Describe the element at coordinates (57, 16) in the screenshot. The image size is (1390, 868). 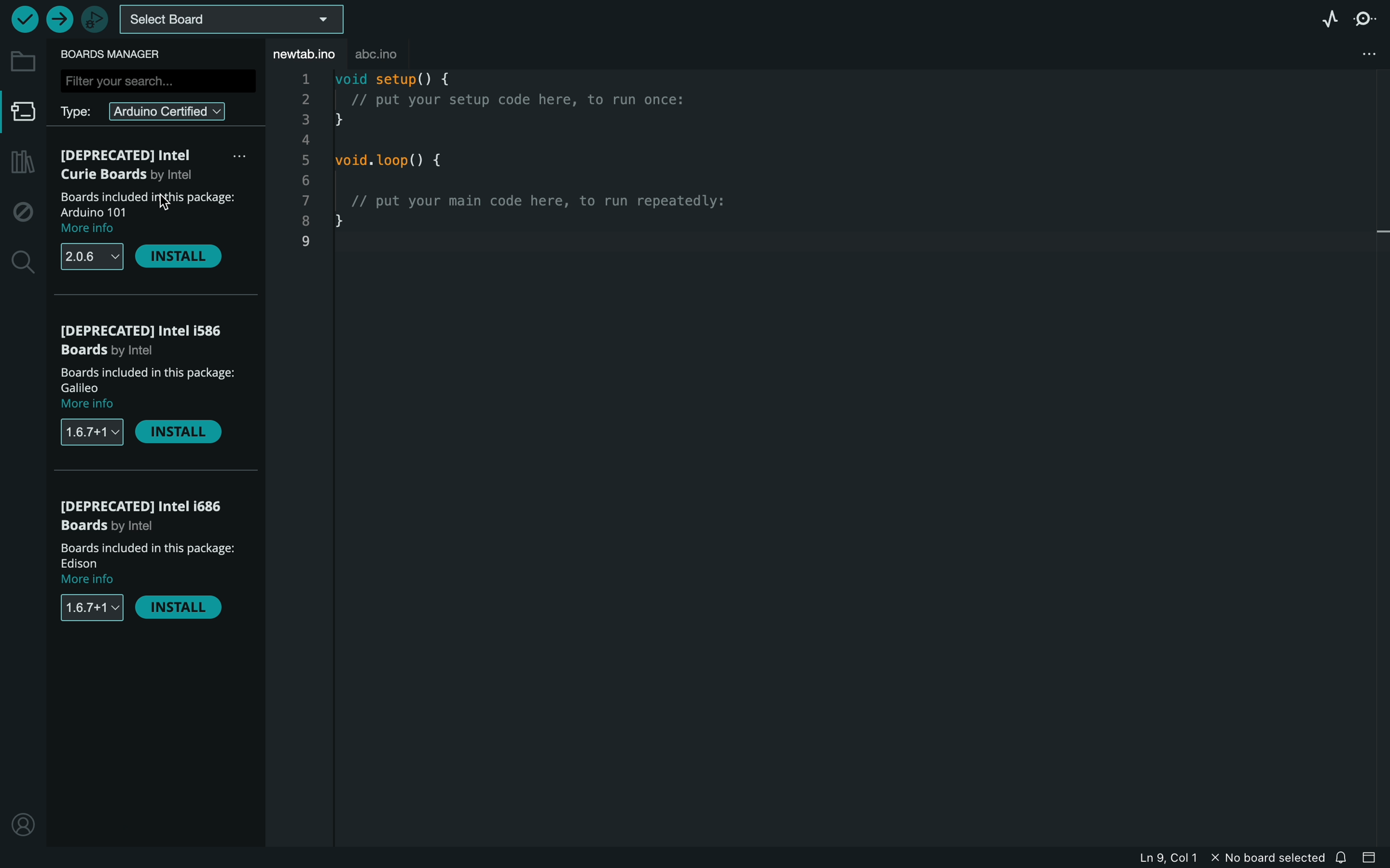
I see `upload` at that location.